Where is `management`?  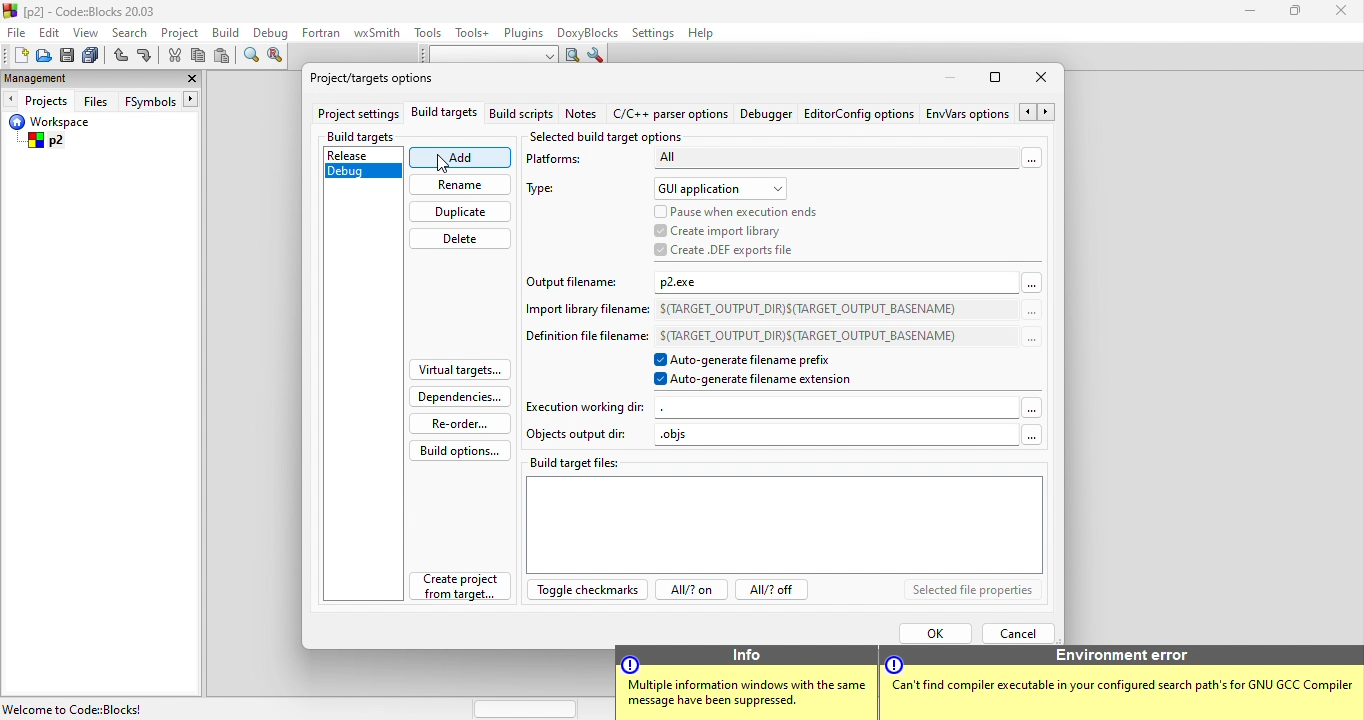 management is located at coordinates (51, 78).